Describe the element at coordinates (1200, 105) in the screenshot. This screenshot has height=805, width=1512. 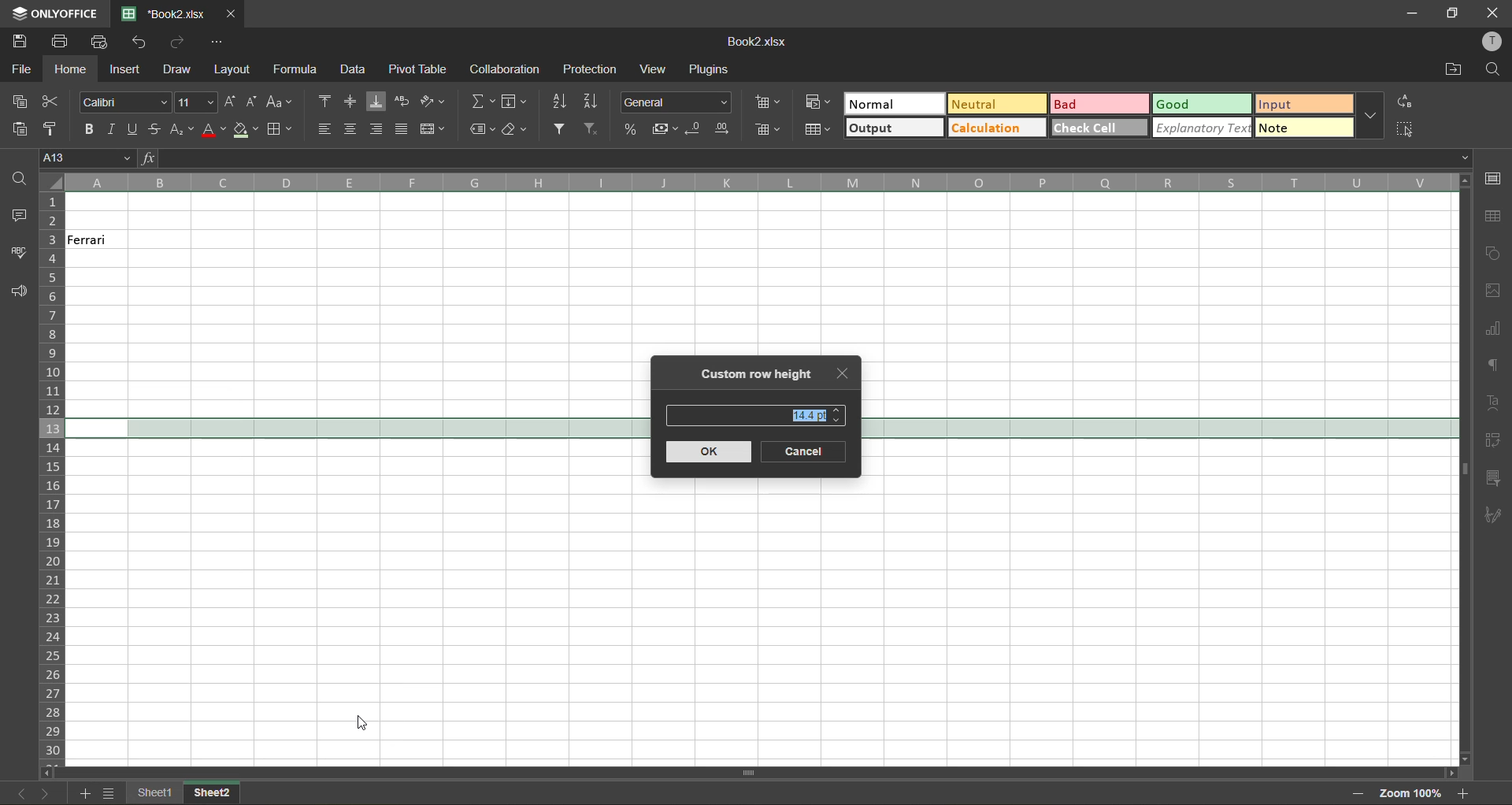
I see `good` at that location.